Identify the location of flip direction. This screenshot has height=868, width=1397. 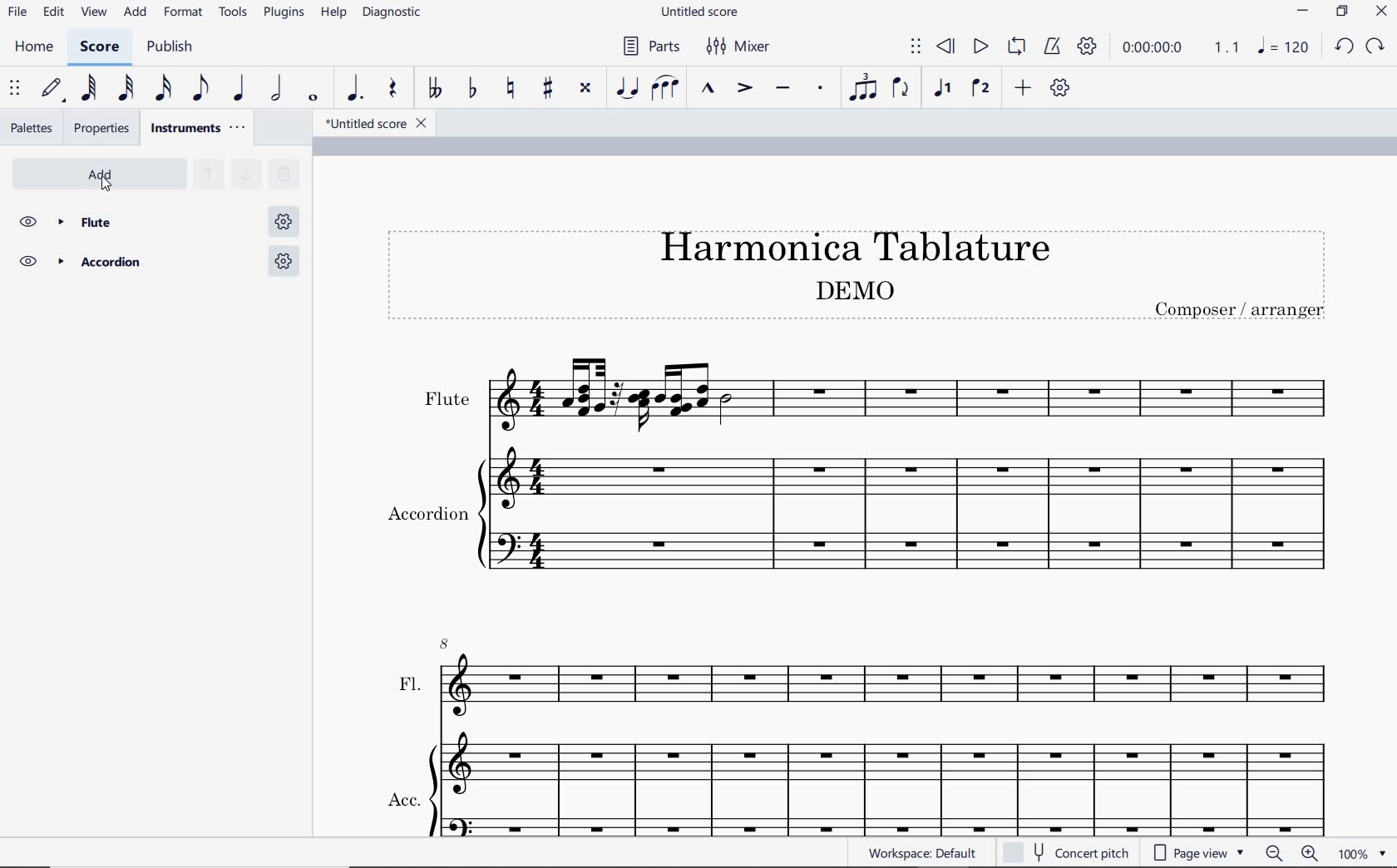
(902, 89).